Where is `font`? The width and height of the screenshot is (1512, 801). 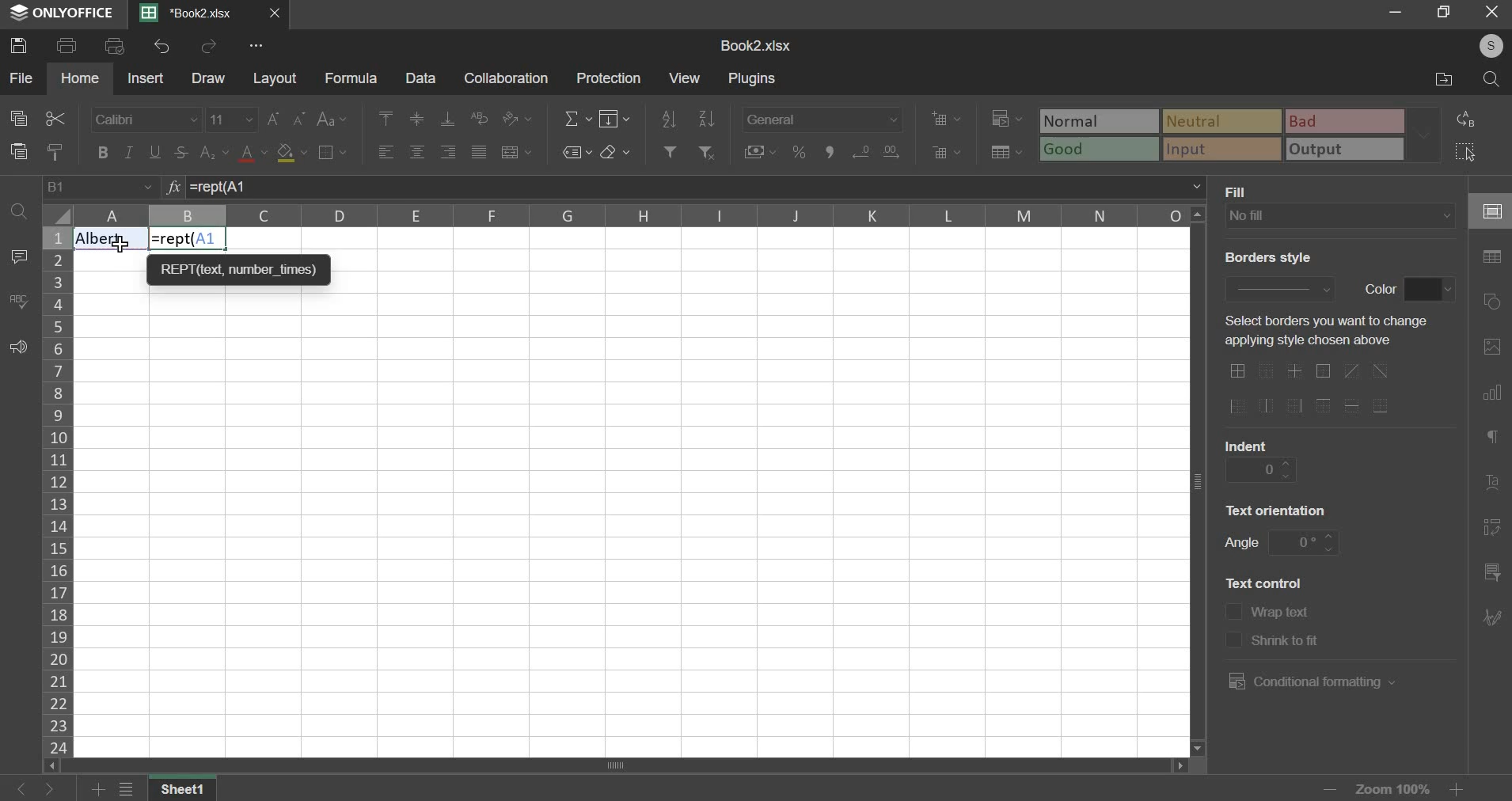
font is located at coordinates (146, 120).